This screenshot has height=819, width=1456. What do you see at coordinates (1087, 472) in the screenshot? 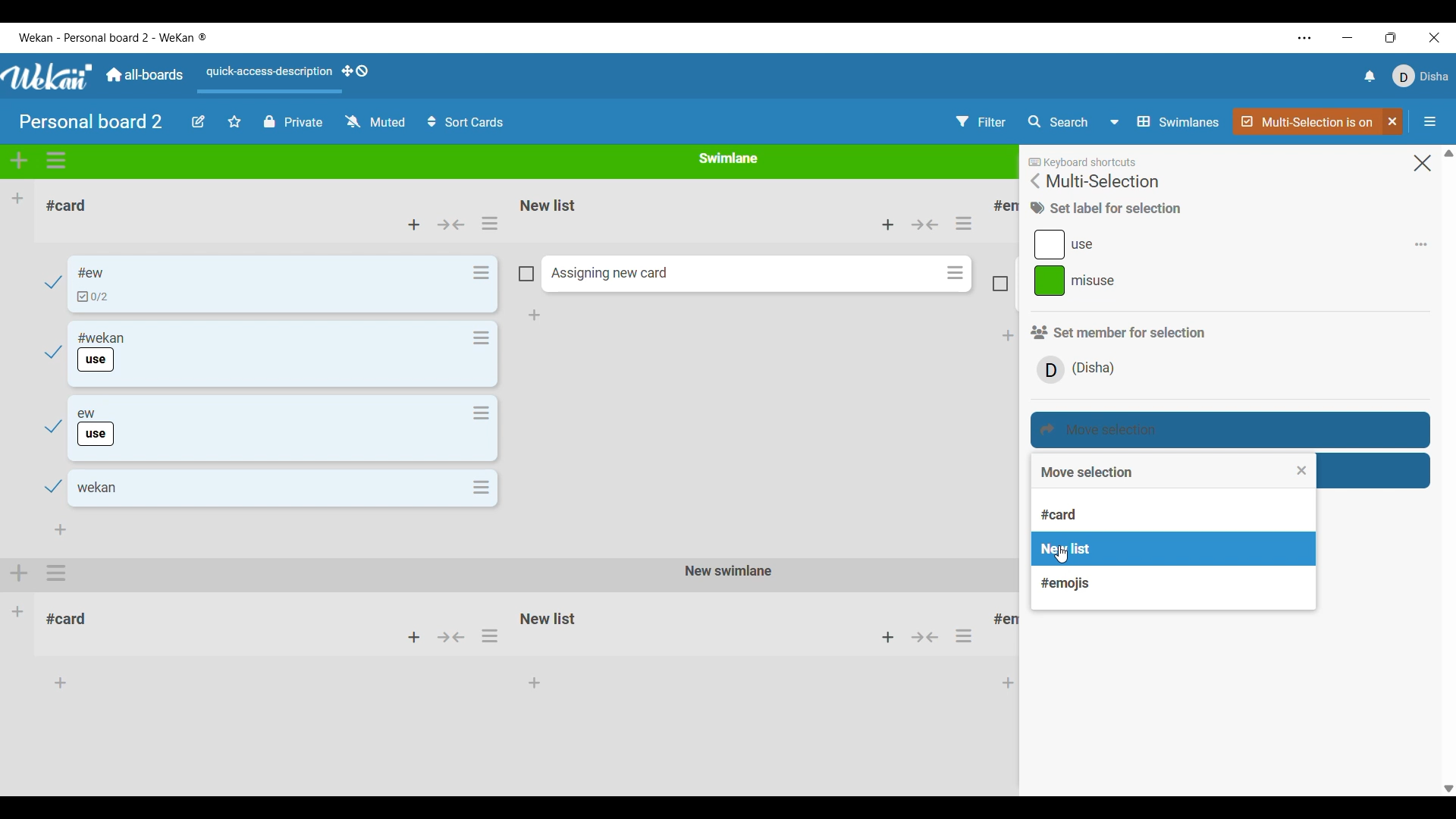
I see `Title of current list` at bounding box center [1087, 472].